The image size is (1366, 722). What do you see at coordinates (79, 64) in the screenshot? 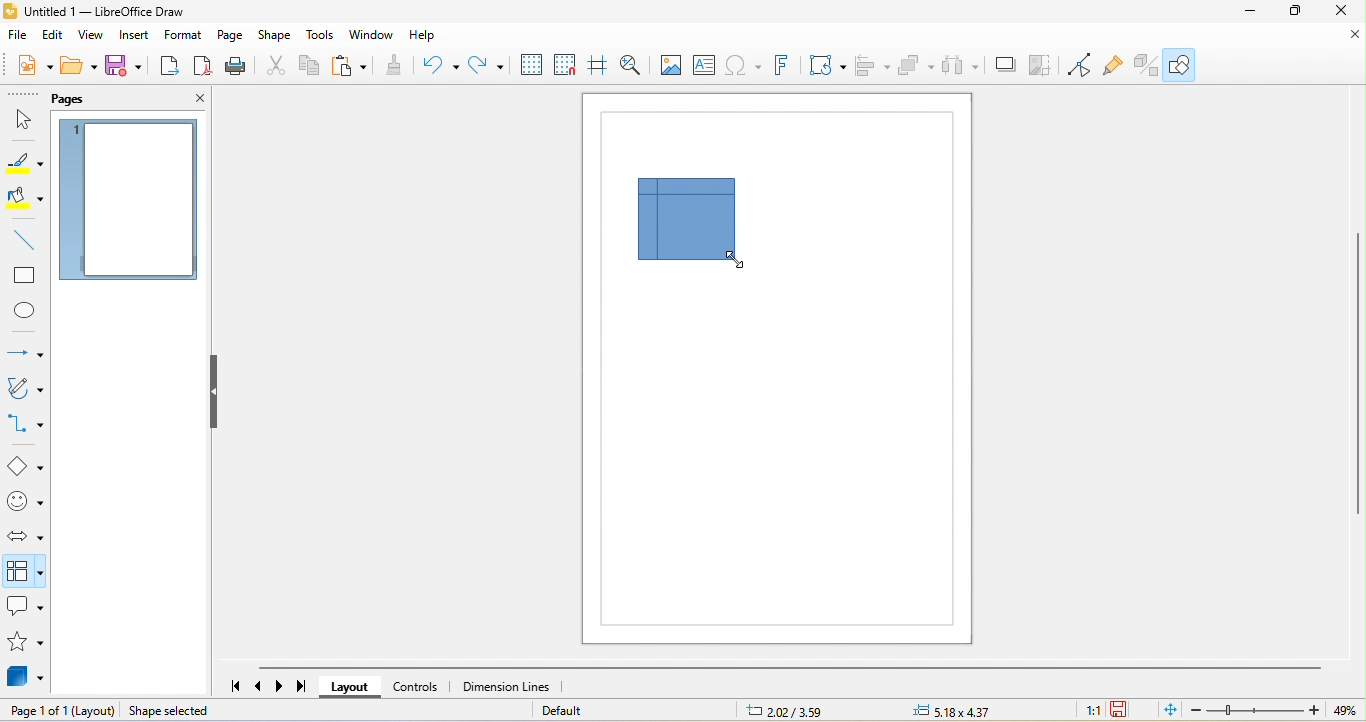
I see `open` at bounding box center [79, 64].